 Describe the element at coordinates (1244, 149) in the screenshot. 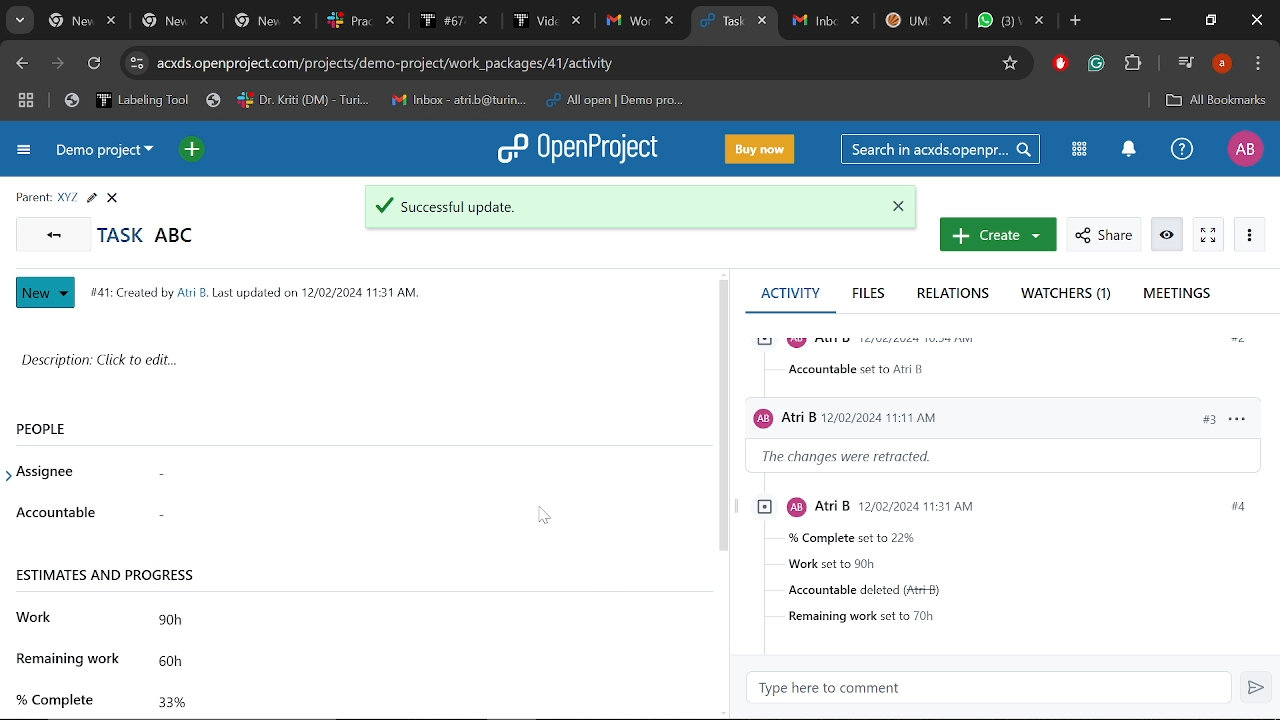

I see `Profile` at that location.